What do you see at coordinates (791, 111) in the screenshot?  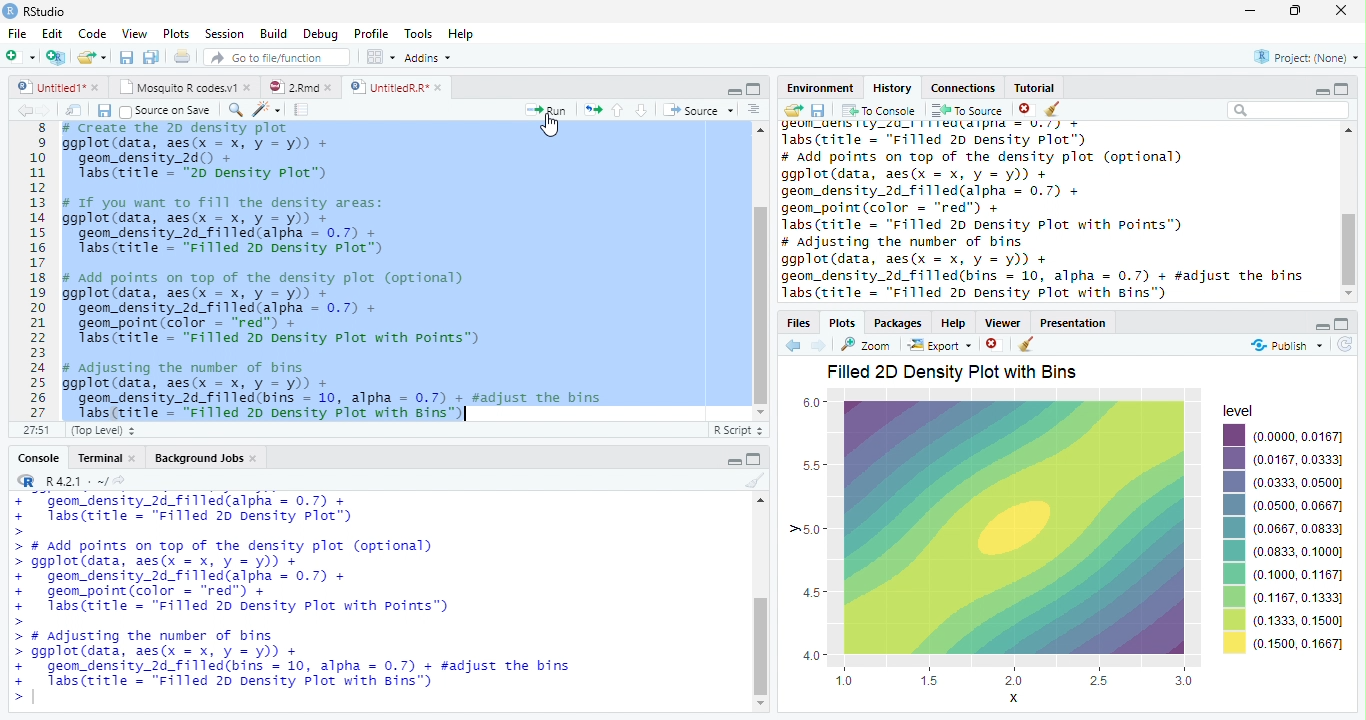 I see `Load workspace` at bounding box center [791, 111].